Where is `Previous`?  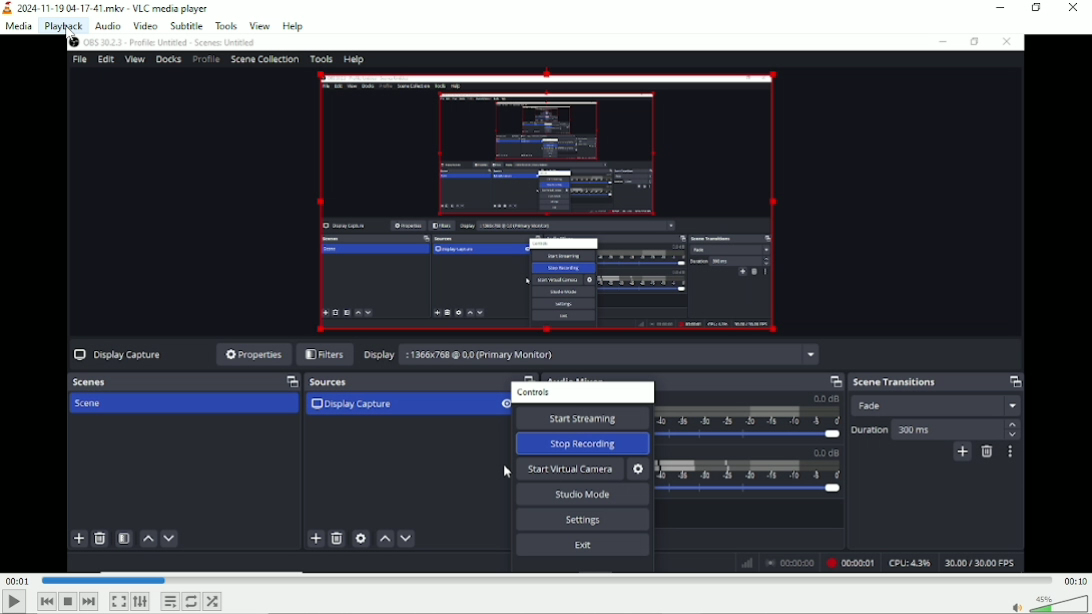 Previous is located at coordinates (47, 601).